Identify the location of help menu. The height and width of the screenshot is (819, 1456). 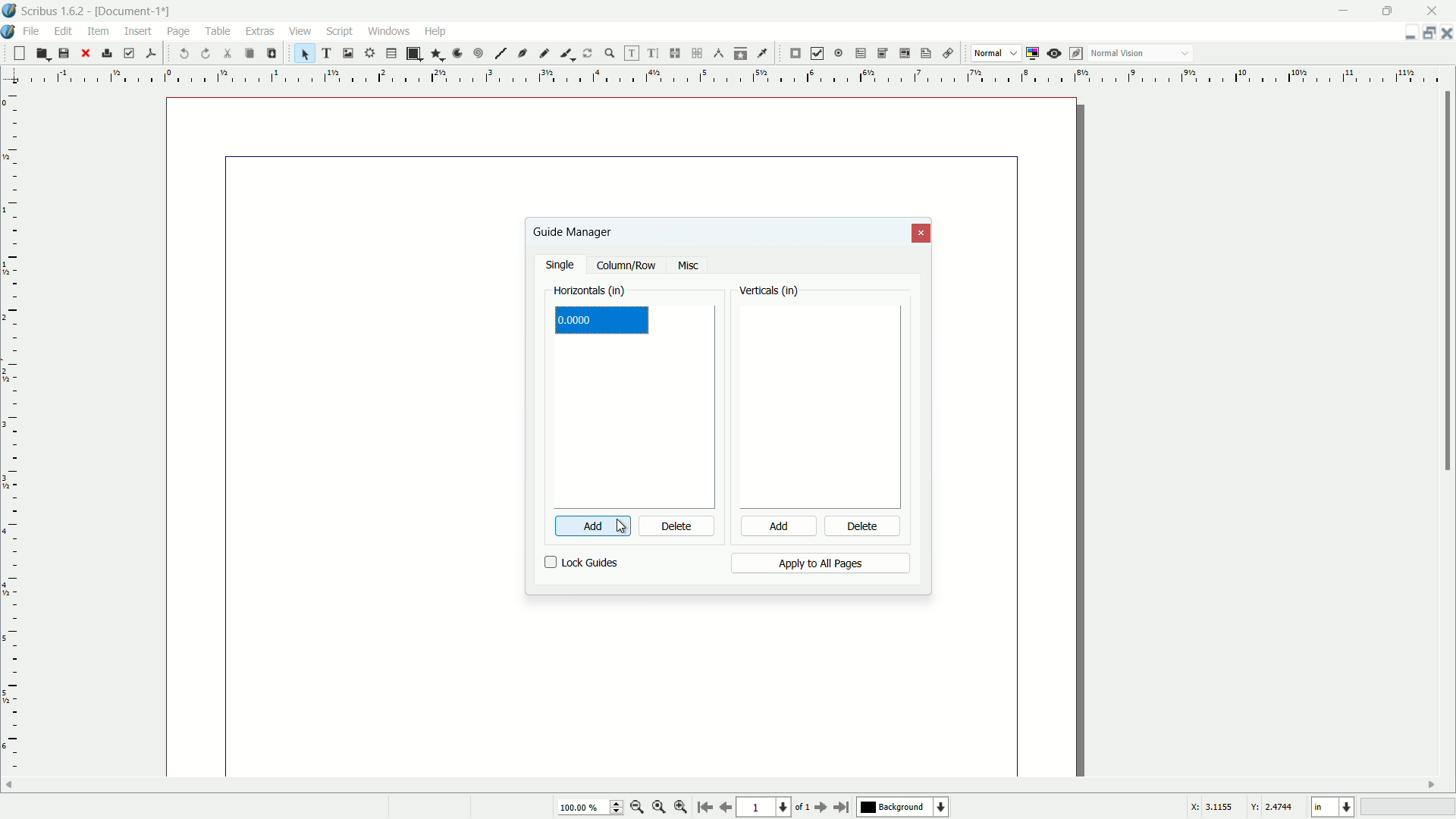
(435, 30).